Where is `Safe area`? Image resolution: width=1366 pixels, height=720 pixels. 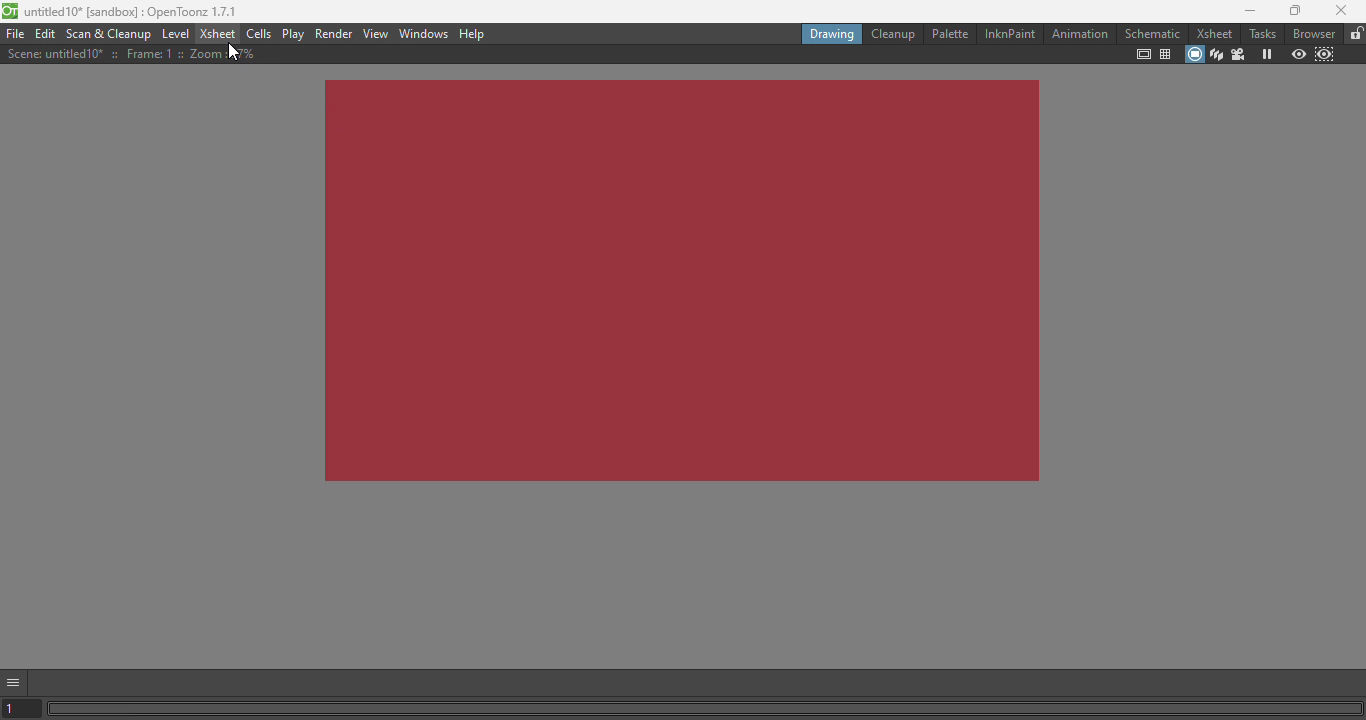 Safe area is located at coordinates (1142, 55).